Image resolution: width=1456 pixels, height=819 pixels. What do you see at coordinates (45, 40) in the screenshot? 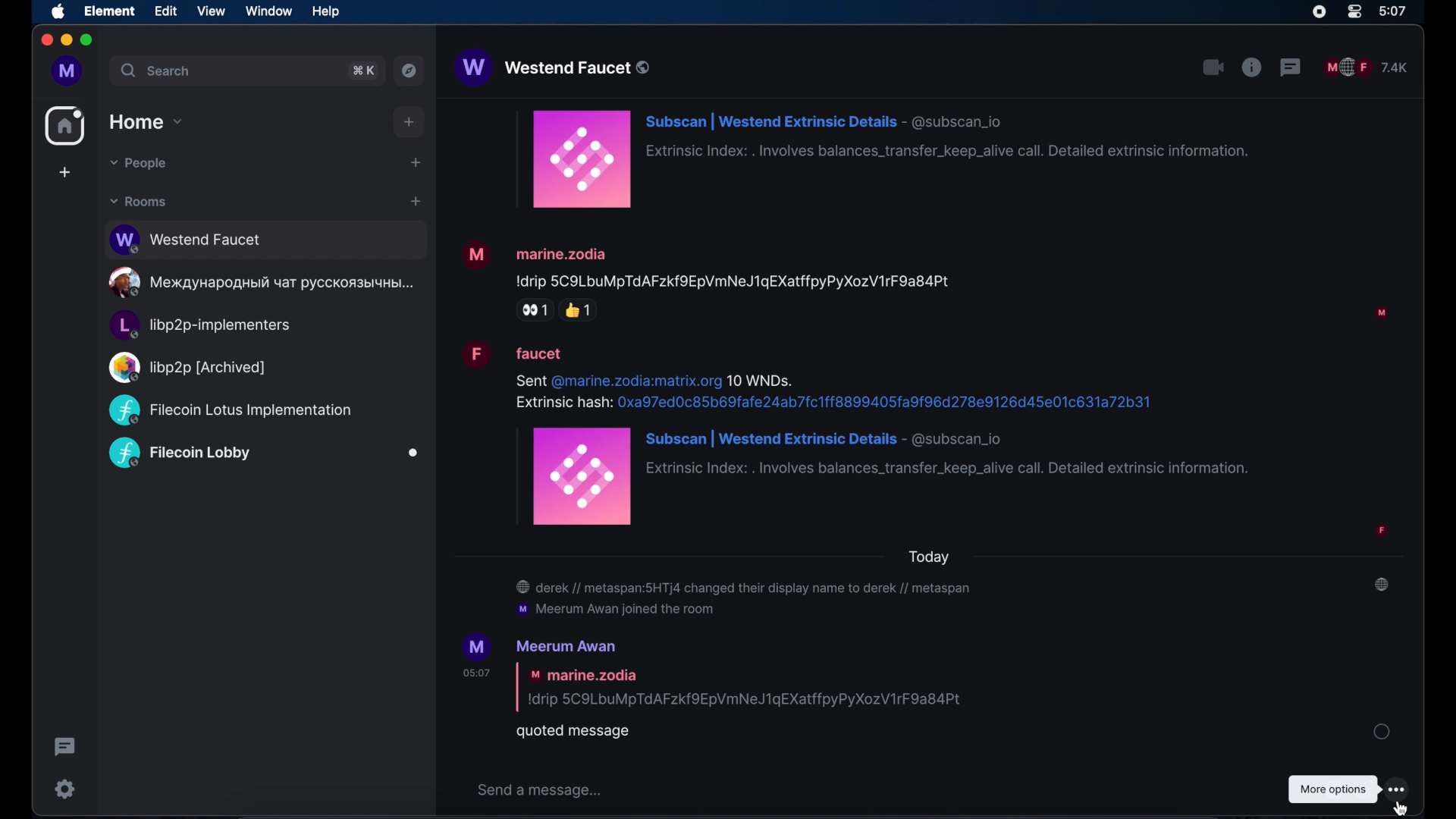
I see `close` at bounding box center [45, 40].